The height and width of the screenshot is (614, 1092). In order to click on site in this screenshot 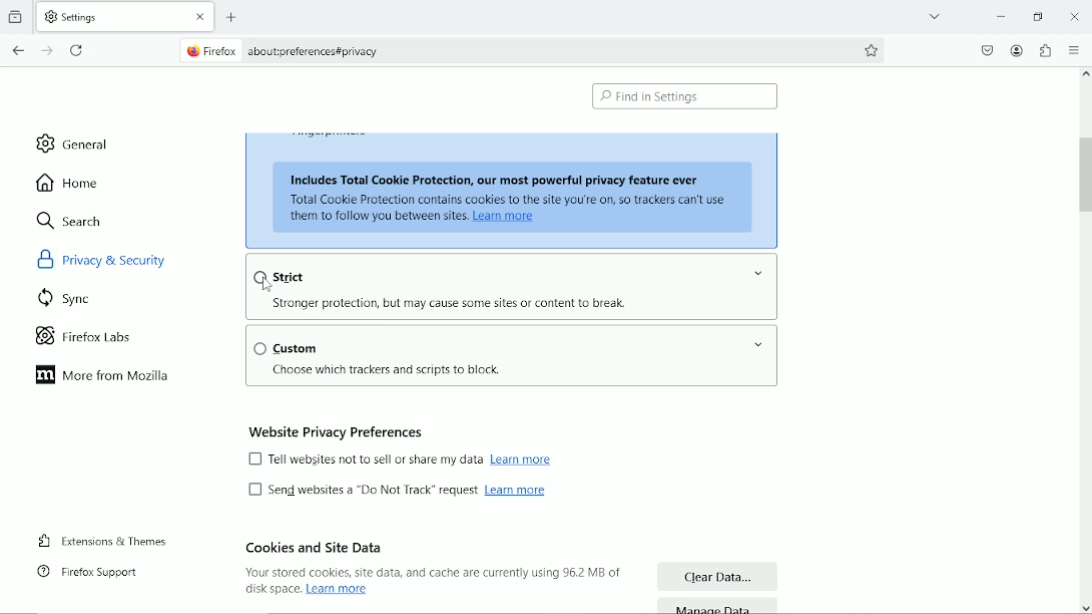, I will do `click(319, 52)`.